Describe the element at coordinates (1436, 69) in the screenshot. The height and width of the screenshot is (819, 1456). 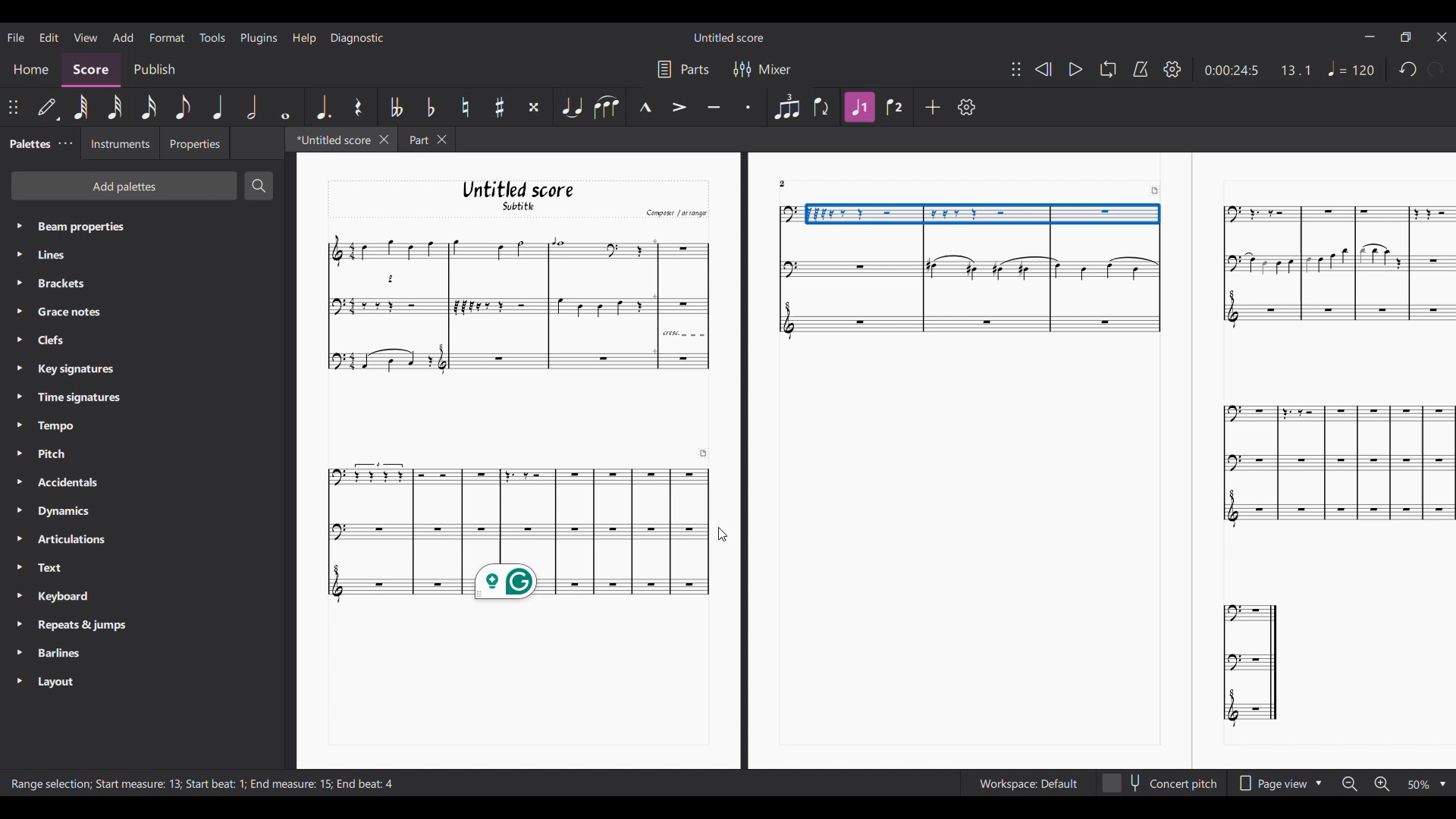
I see `Redo` at that location.